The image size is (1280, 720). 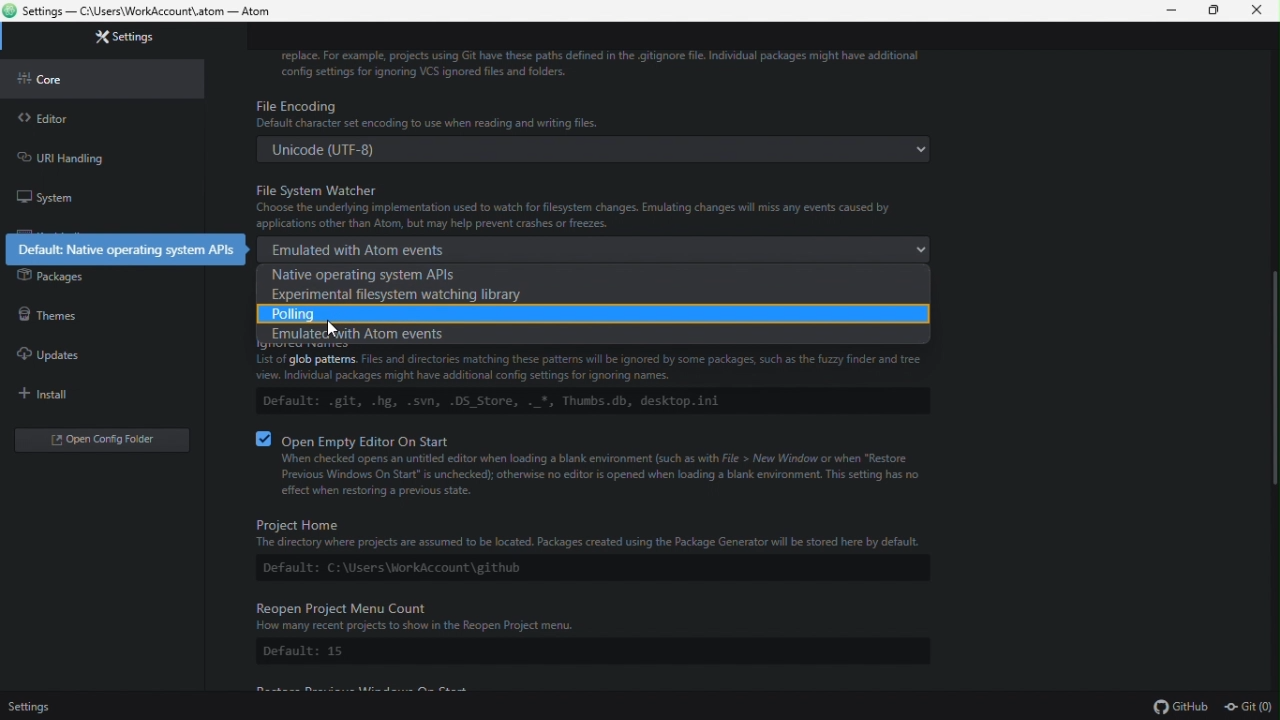 I want to click on url handling , so click(x=81, y=156).